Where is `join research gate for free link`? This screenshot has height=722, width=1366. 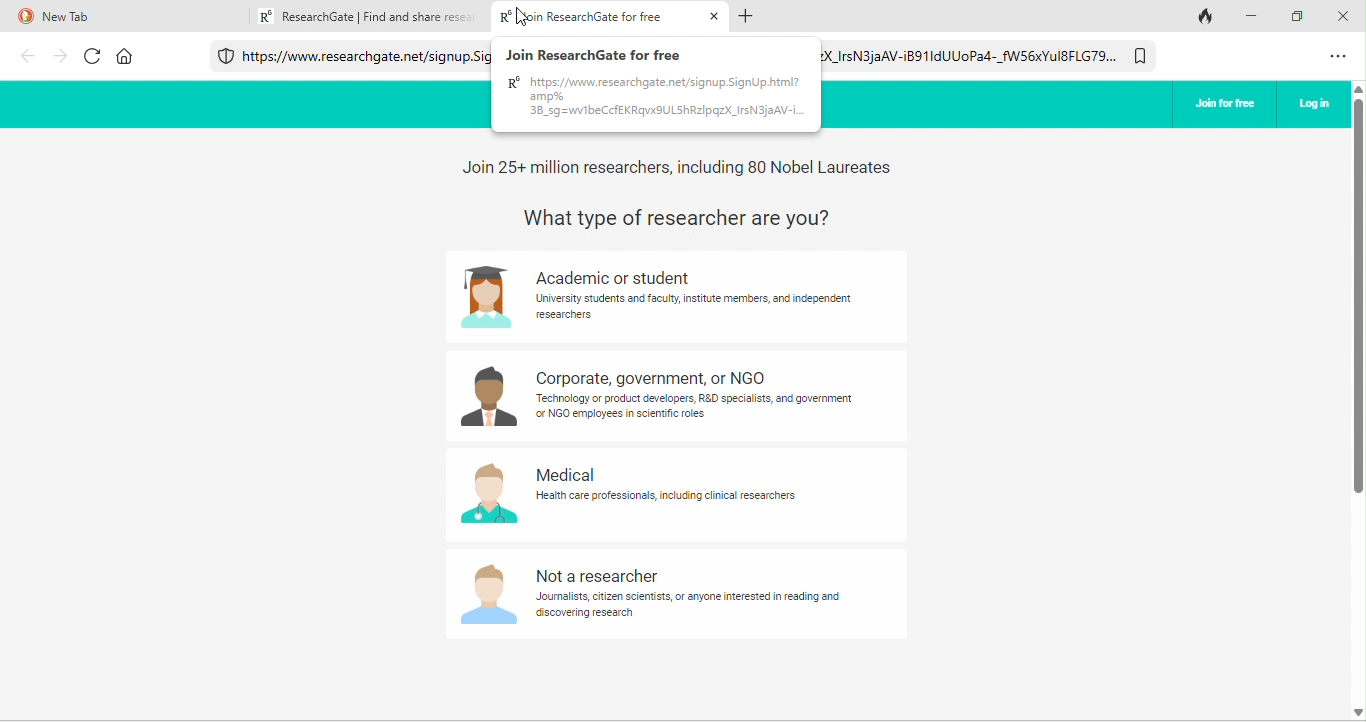
join research gate for free link is located at coordinates (655, 100).